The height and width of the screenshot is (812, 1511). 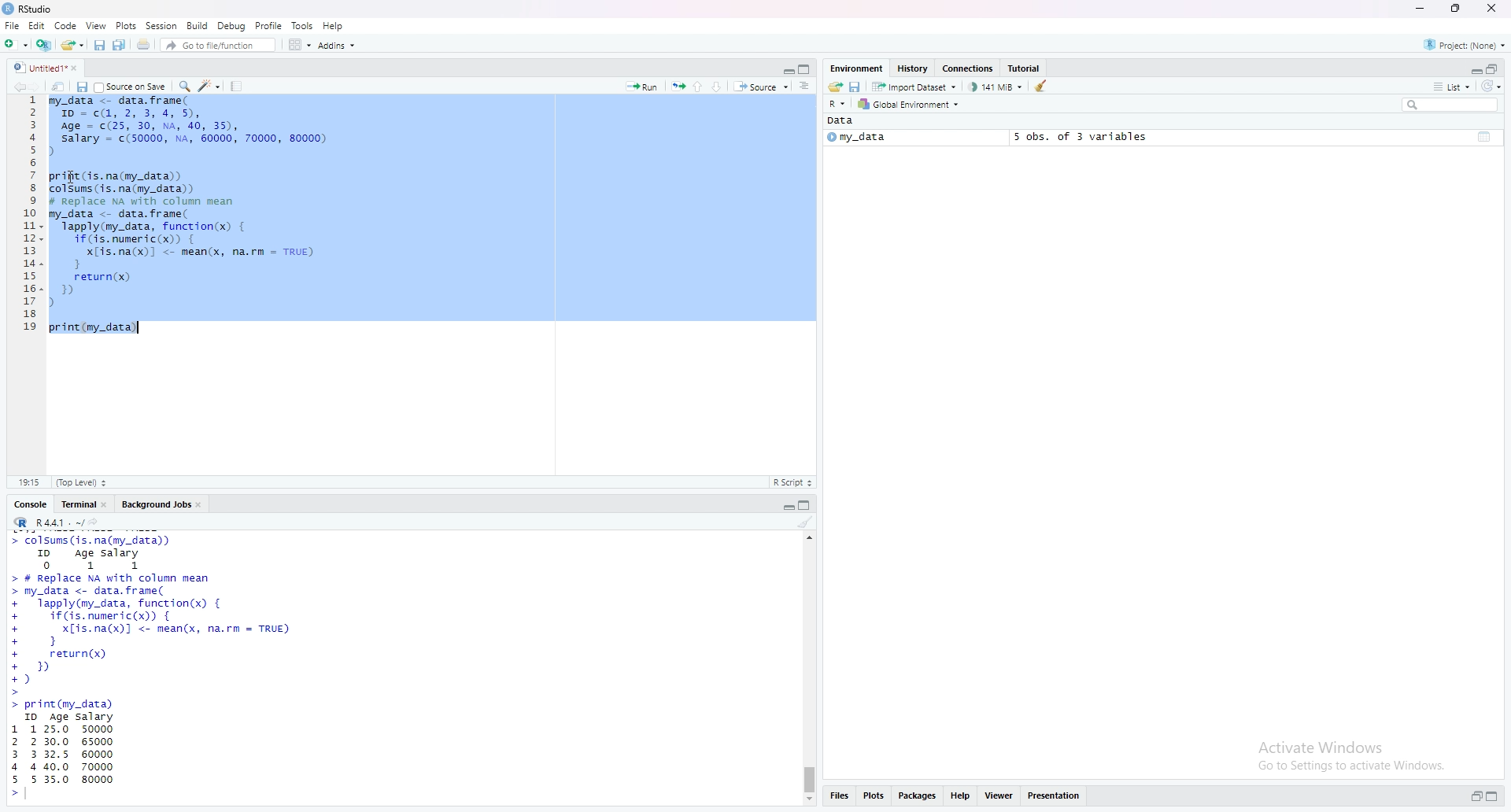 I want to click on project(None), so click(x=1467, y=47).